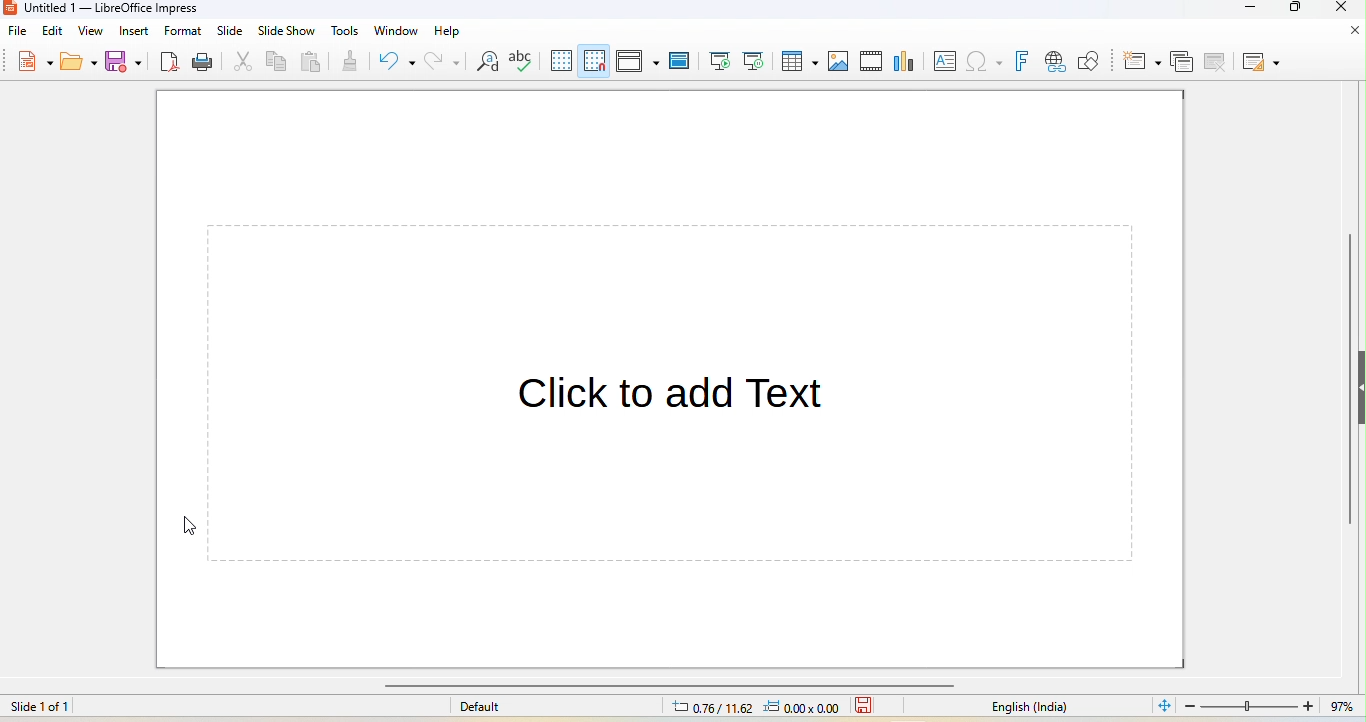  Describe the element at coordinates (79, 60) in the screenshot. I see `open` at that location.